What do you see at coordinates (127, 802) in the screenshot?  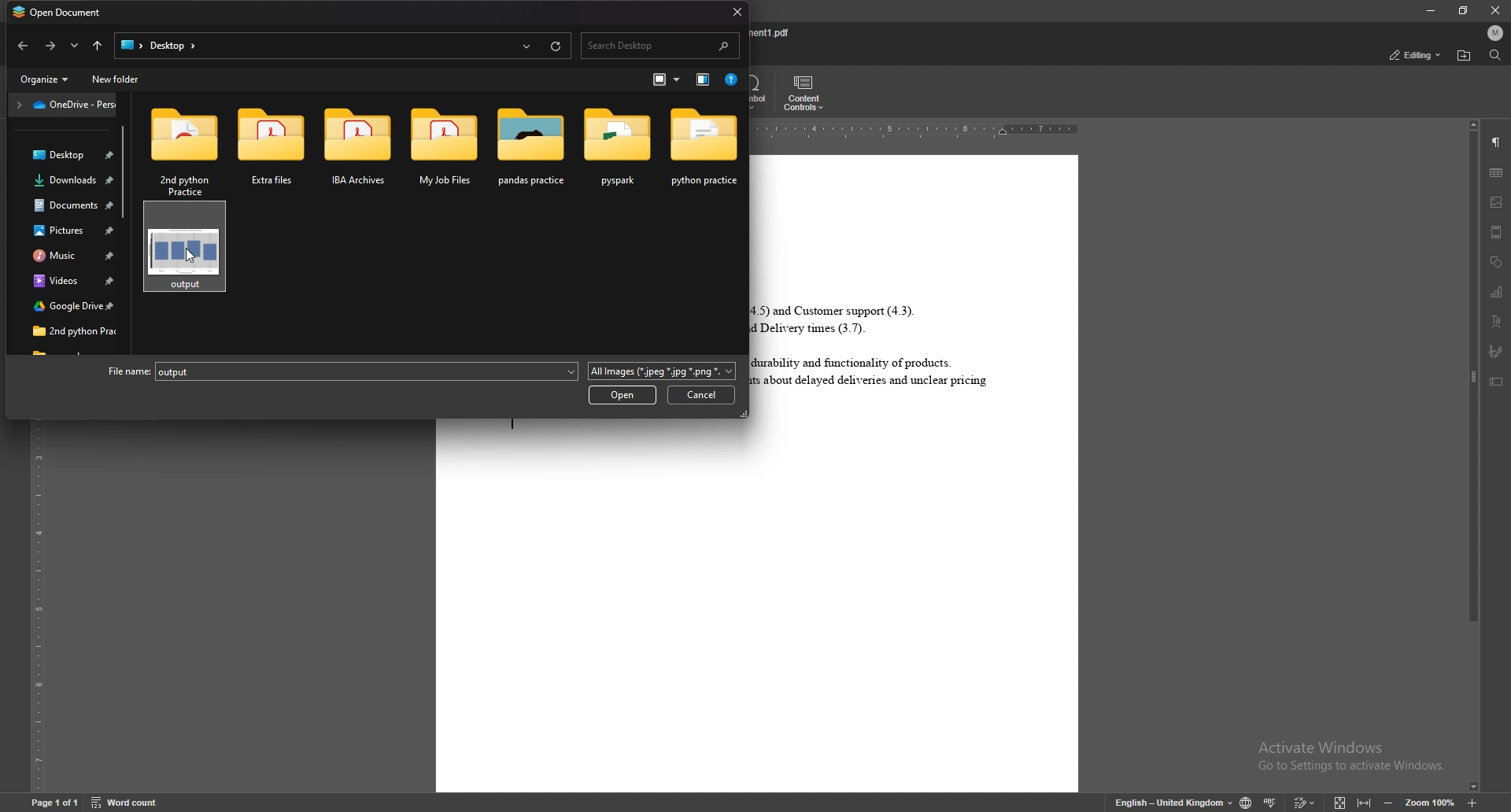 I see `word count` at bounding box center [127, 802].